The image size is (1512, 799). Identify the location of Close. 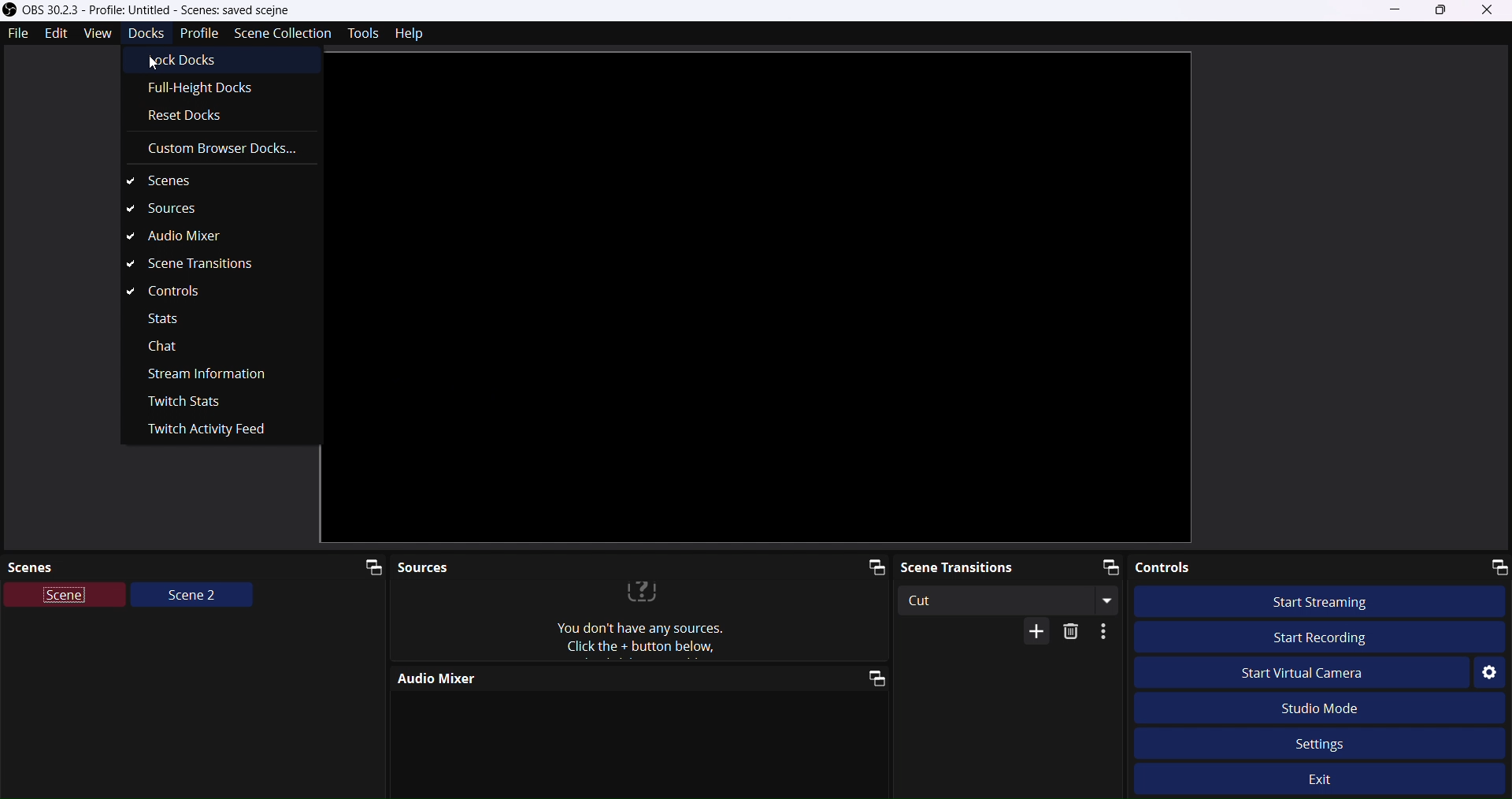
(1492, 11).